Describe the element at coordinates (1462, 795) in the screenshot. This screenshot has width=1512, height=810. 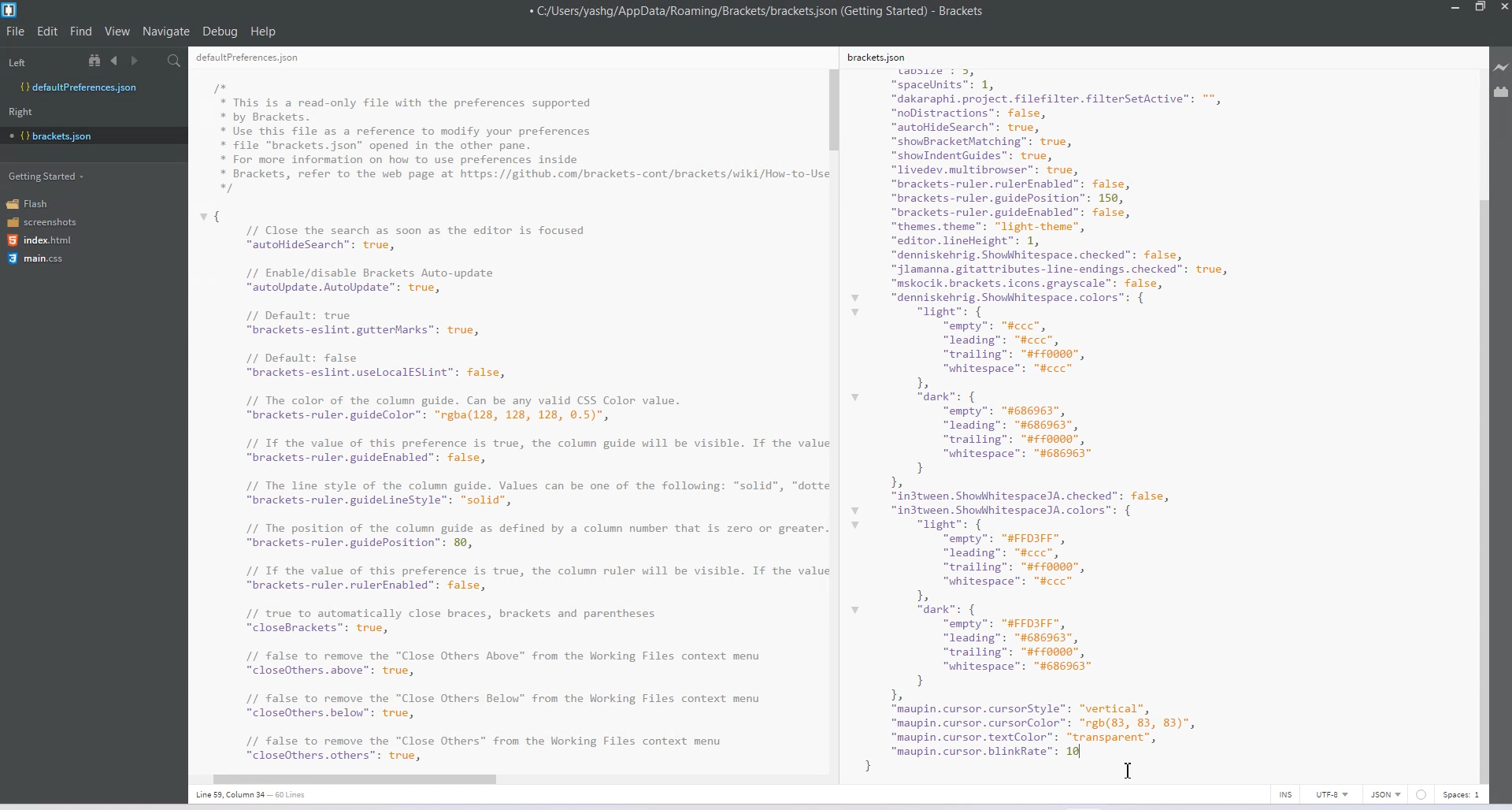
I see `Spaces 1` at that location.